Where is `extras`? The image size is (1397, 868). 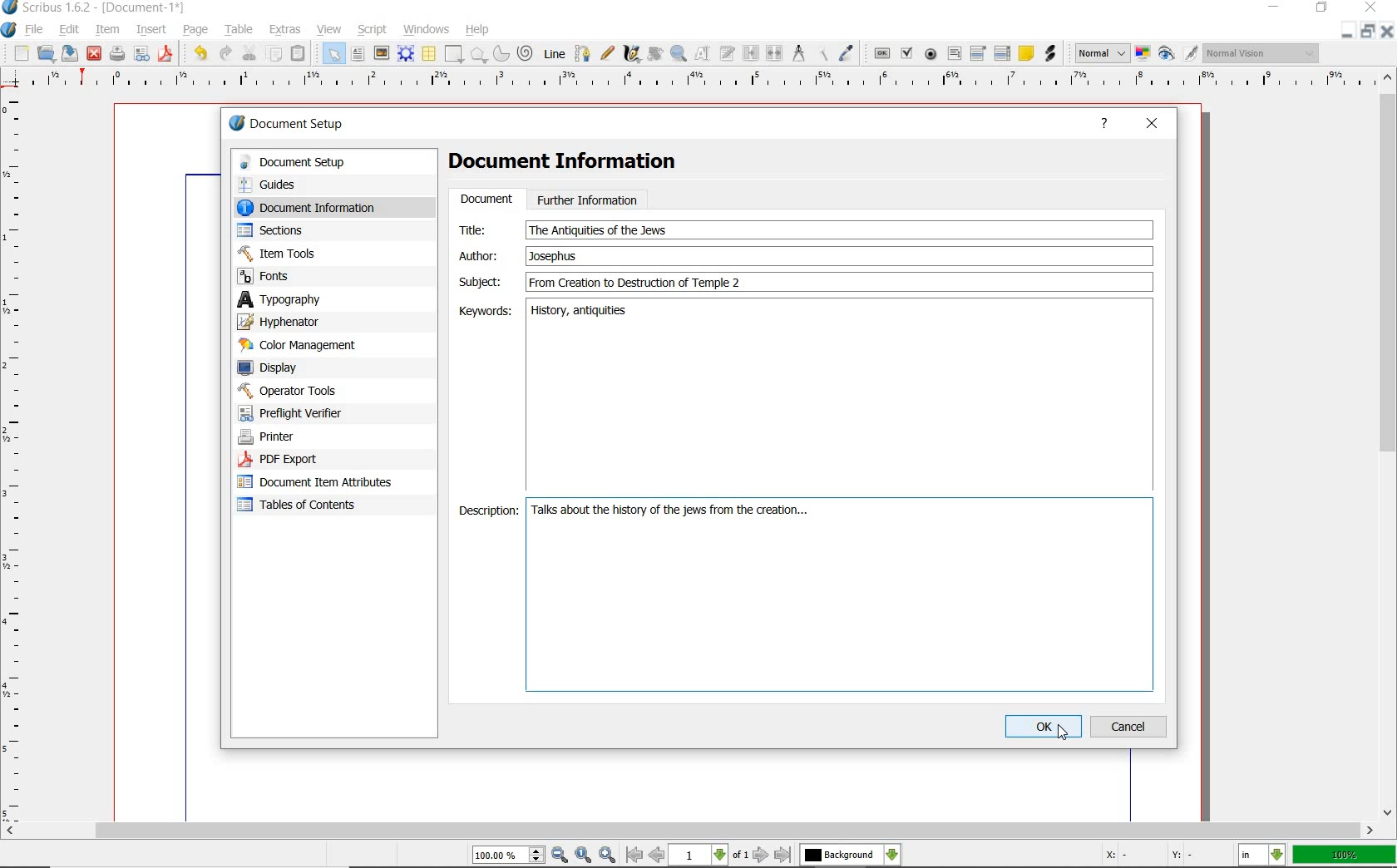
extras is located at coordinates (286, 30).